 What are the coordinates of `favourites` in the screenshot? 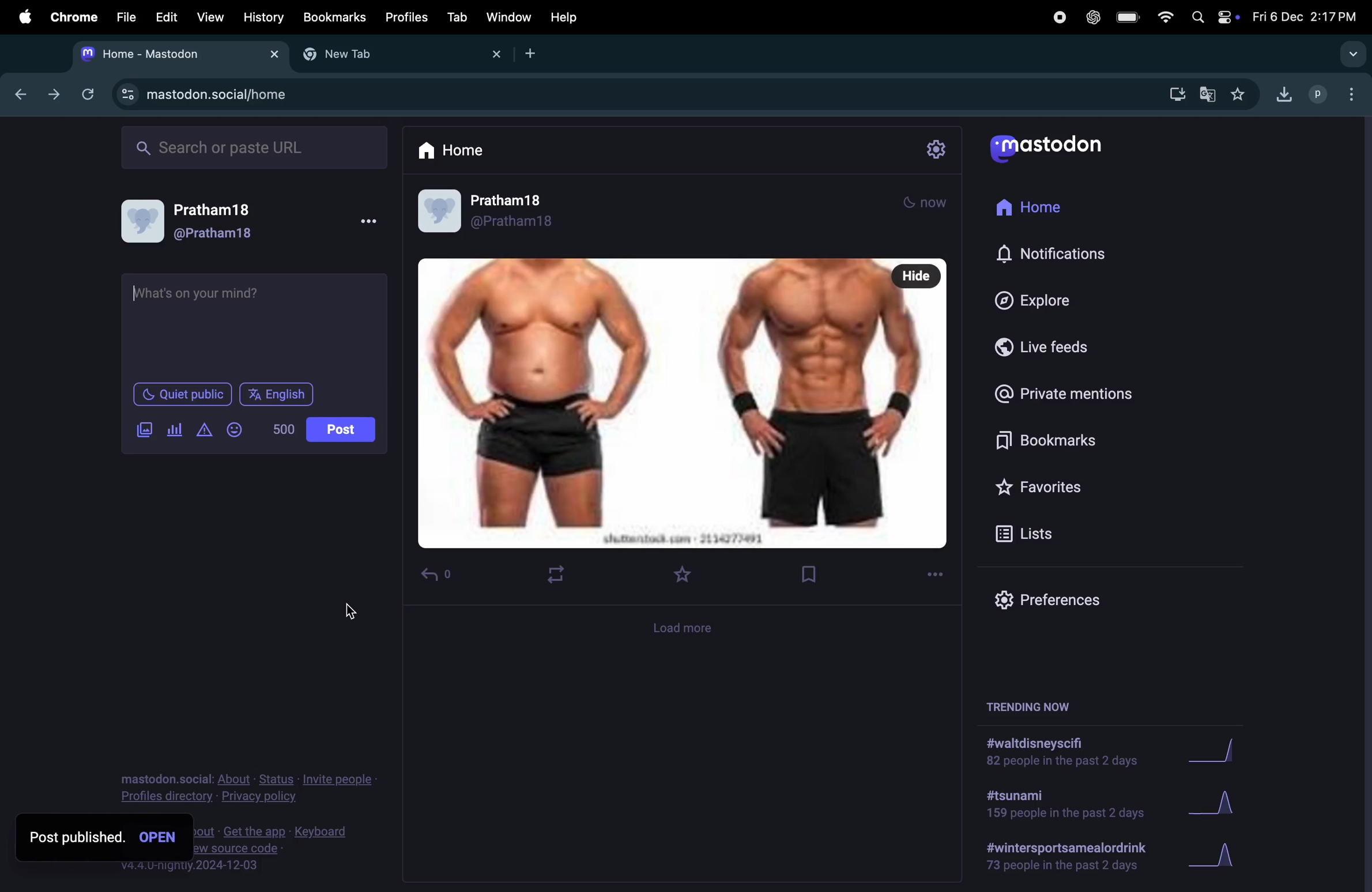 It's located at (1241, 93).